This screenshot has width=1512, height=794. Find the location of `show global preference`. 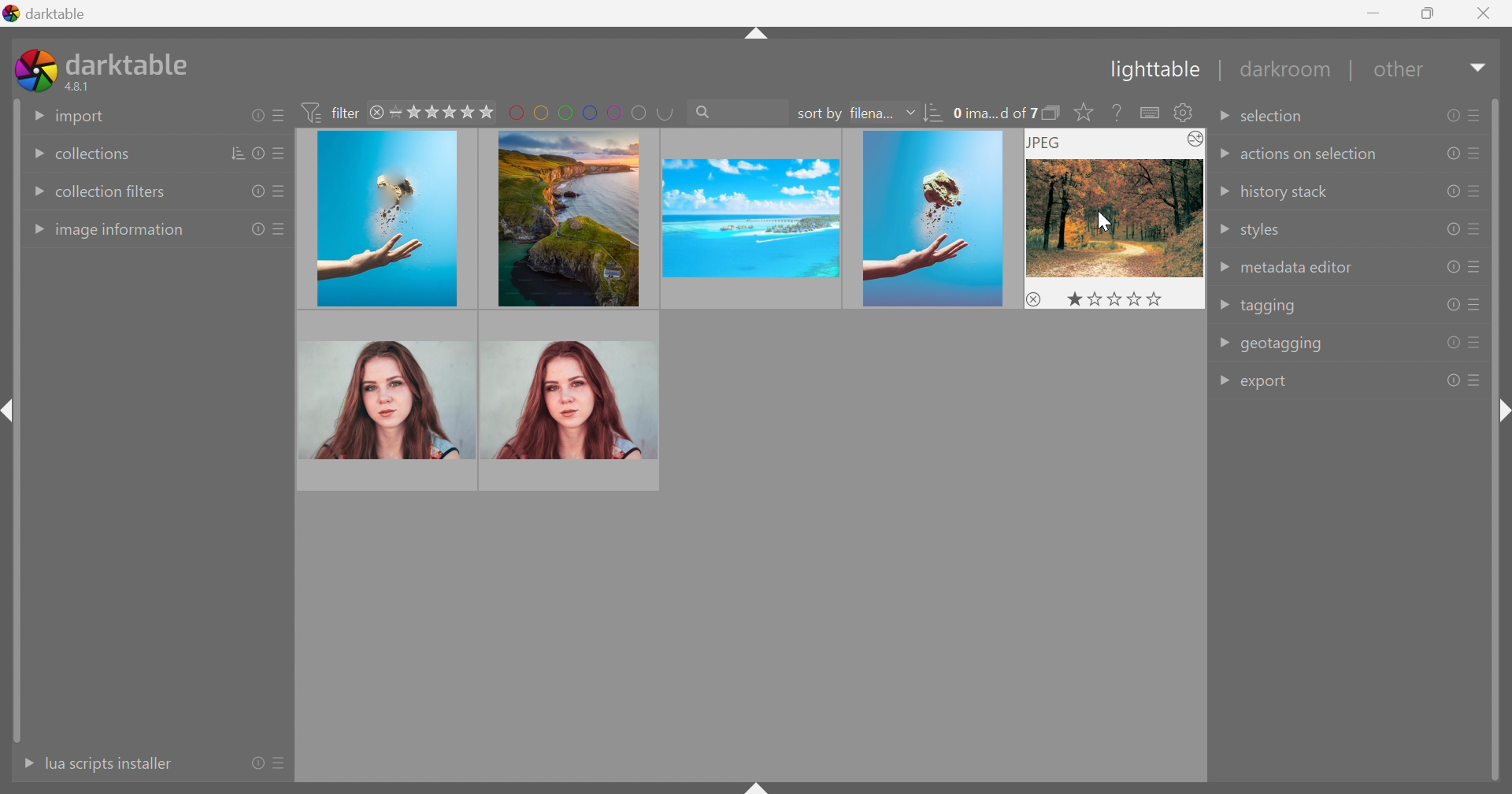

show global preference is located at coordinates (1182, 112).